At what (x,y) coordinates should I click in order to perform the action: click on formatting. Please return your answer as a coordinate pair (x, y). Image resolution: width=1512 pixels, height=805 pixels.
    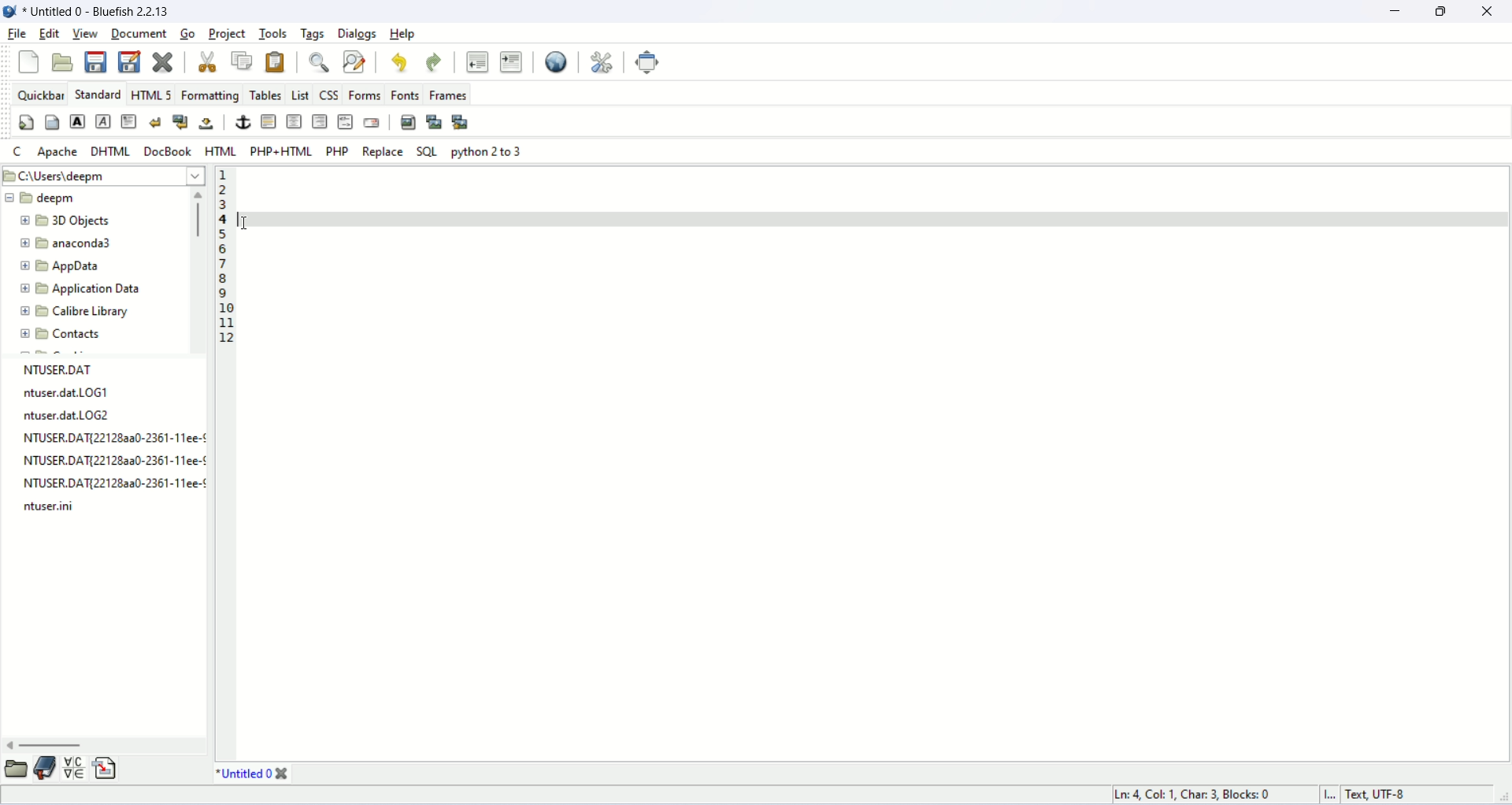
    Looking at the image, I should click on (213, 95).